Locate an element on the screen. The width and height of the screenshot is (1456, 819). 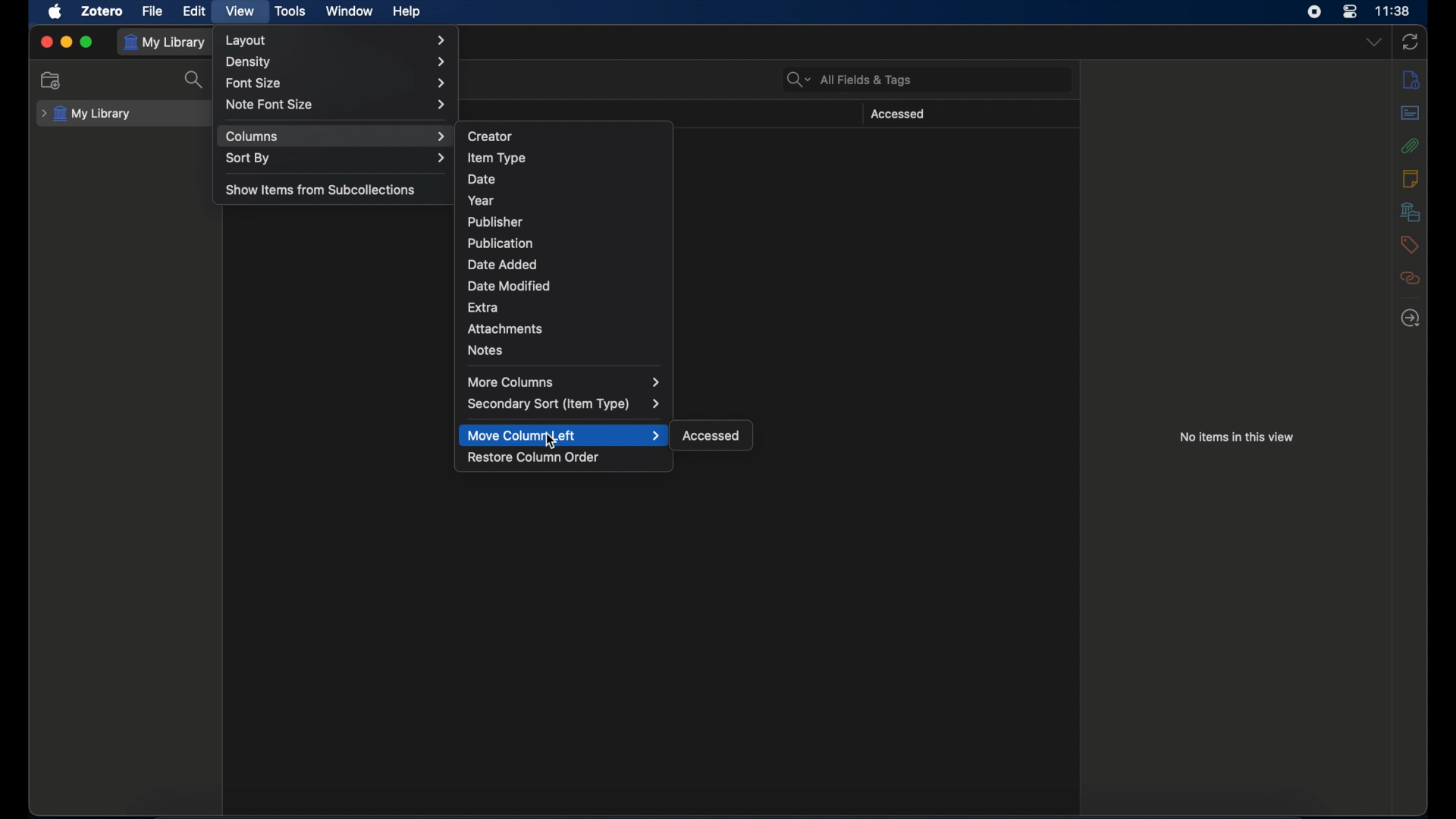
more columns is located at coordinates (563, 383).